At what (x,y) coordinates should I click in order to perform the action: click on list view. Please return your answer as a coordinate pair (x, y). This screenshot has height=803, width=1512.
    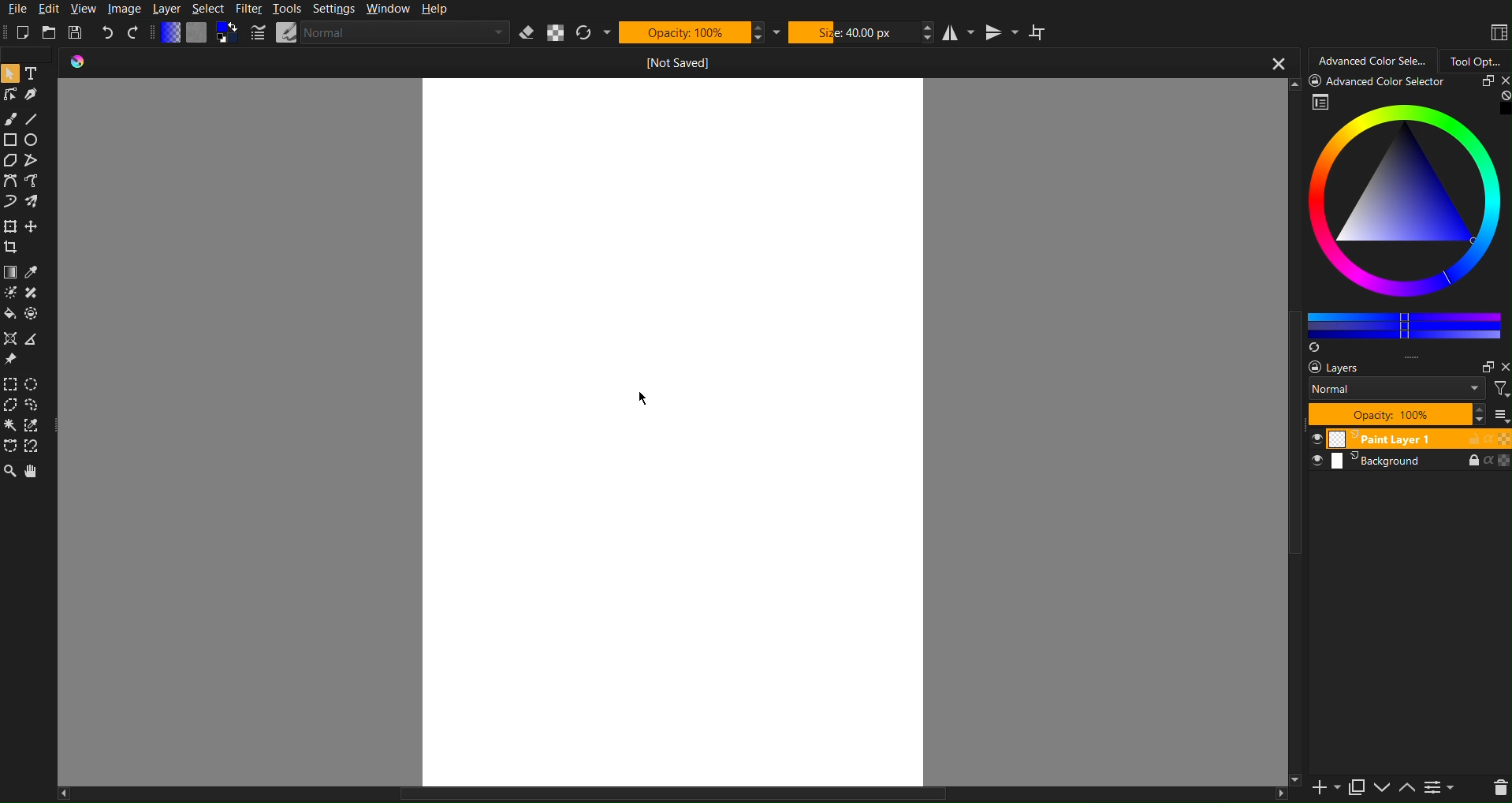
    Looking at the image, I should click on (1500, 414).